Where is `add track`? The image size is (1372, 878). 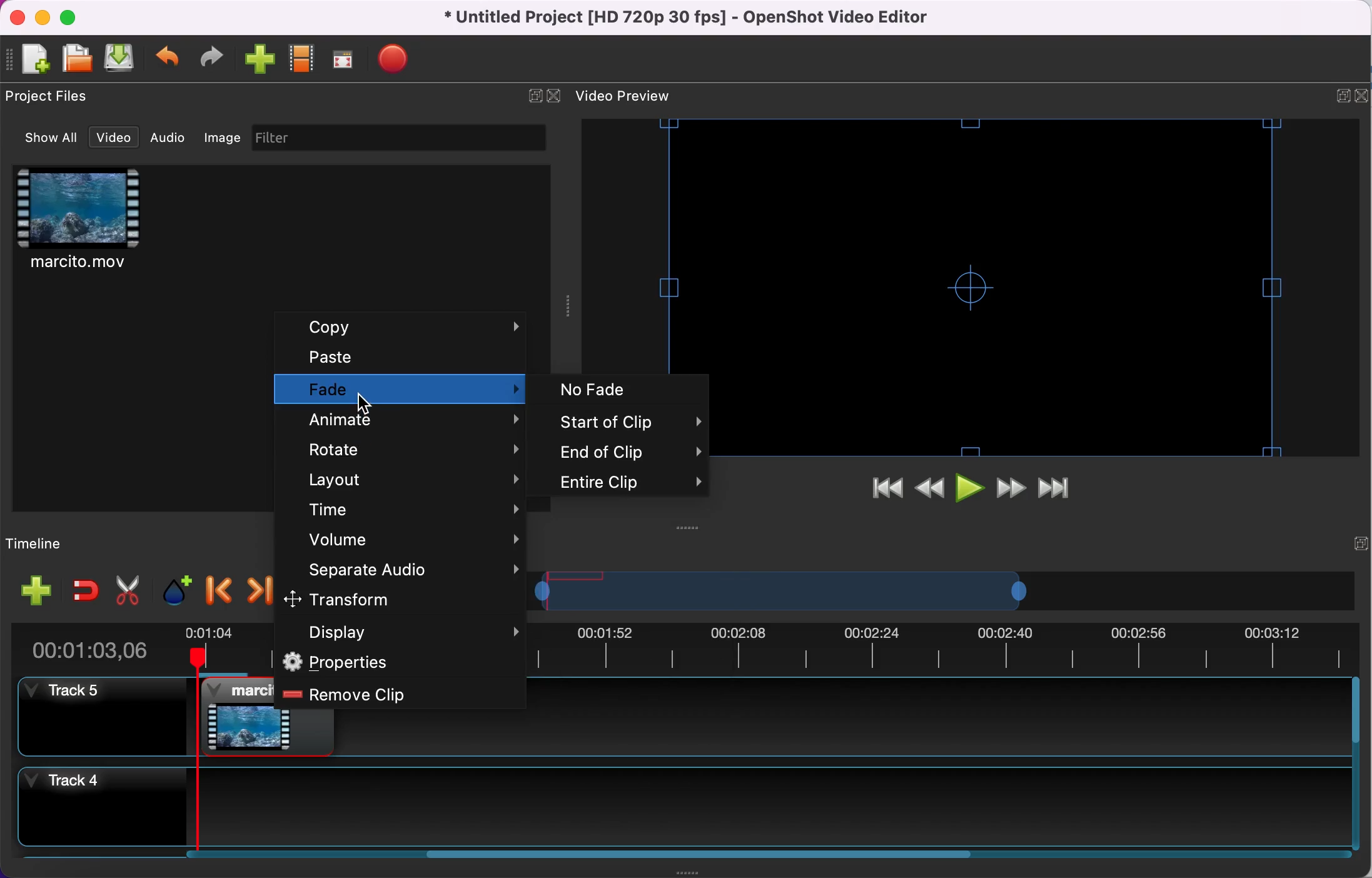
add track is located at coordinates (35, 590).